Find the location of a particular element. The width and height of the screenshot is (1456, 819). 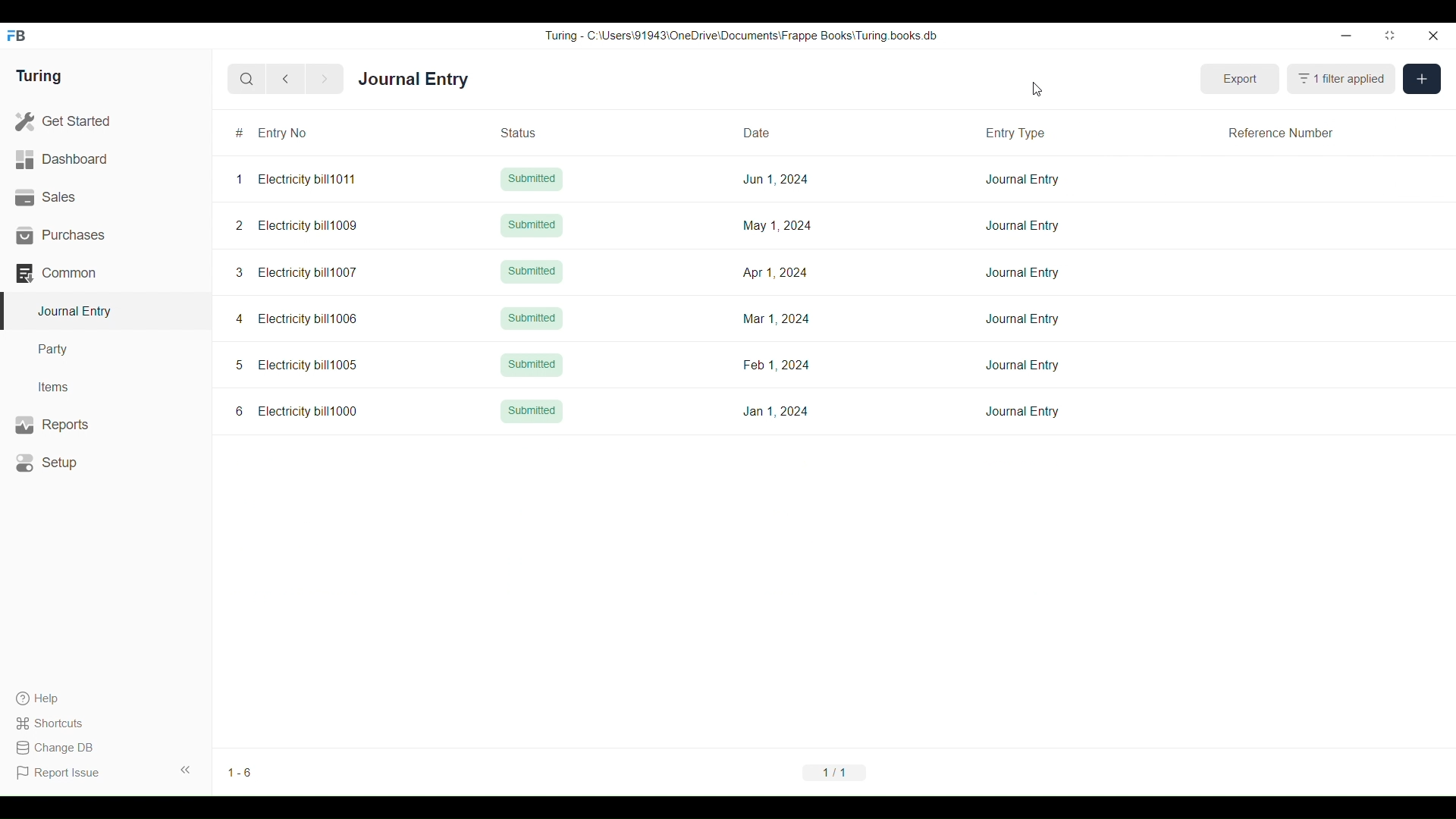

Collapse sidebar is located at coordinates (186, 770).